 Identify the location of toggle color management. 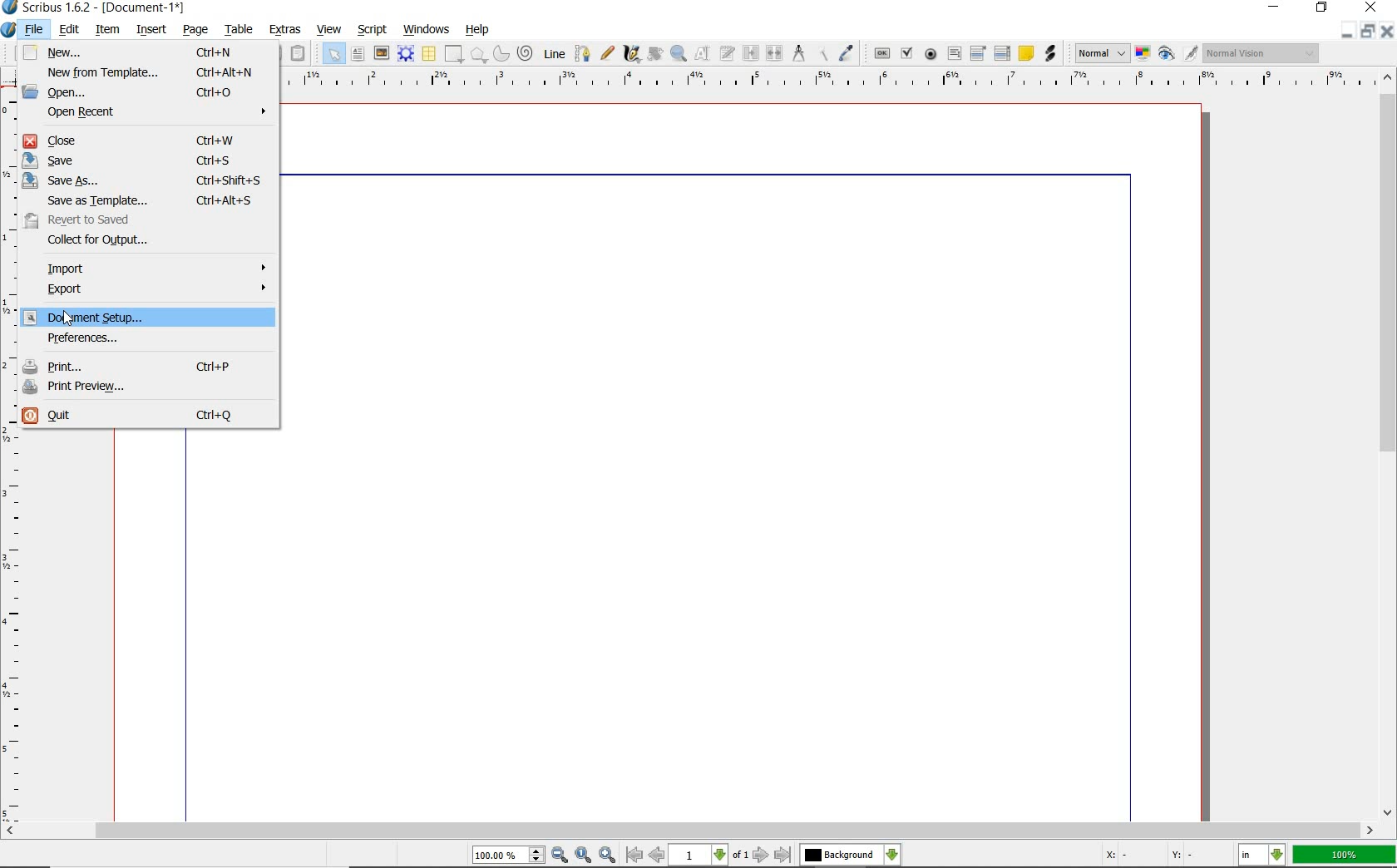
(1143, 53).